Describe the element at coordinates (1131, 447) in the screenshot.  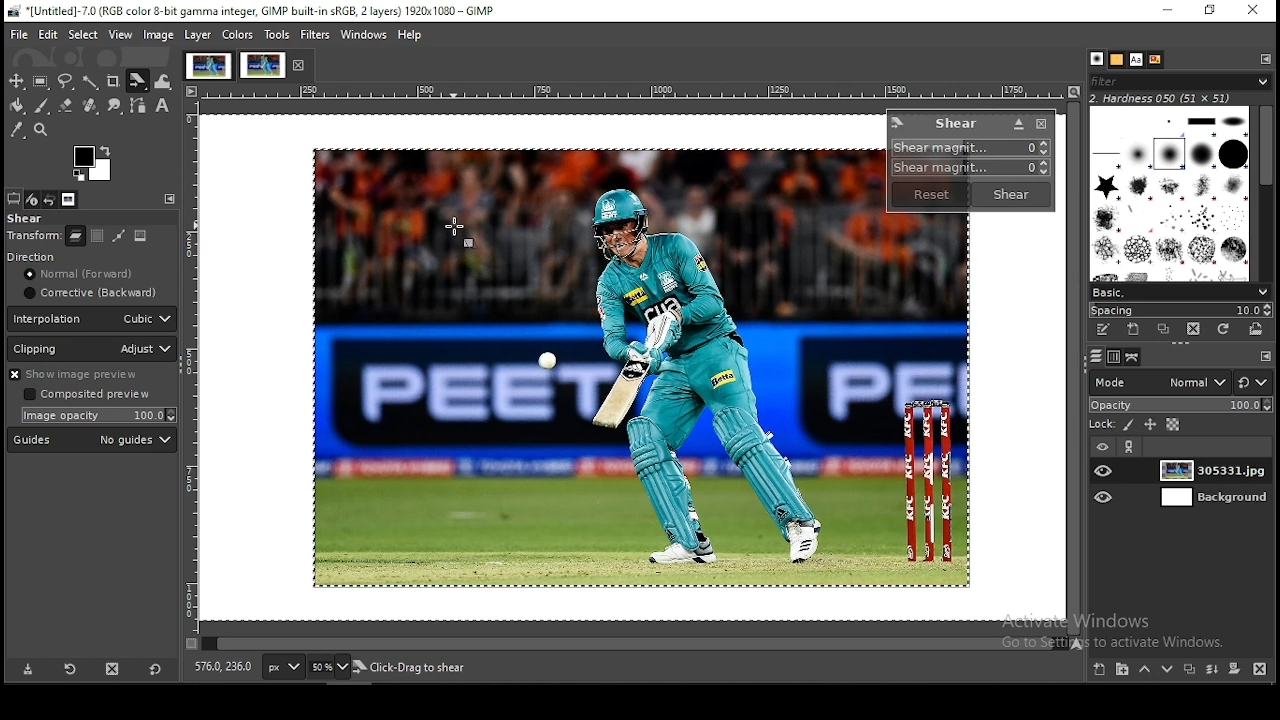
I see `link` at that location.